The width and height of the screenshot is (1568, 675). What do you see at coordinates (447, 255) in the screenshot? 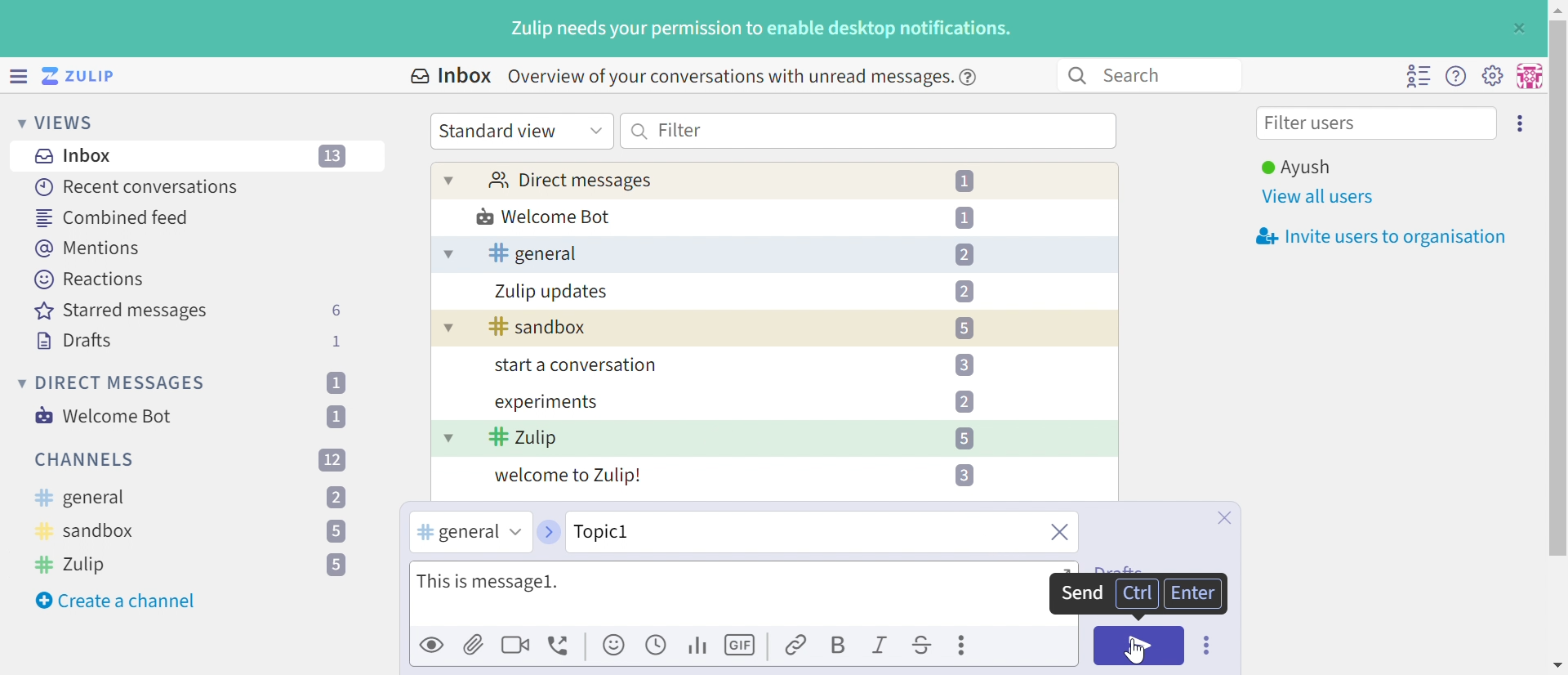
I see `Drop Down` at bounding box center [447, 255].